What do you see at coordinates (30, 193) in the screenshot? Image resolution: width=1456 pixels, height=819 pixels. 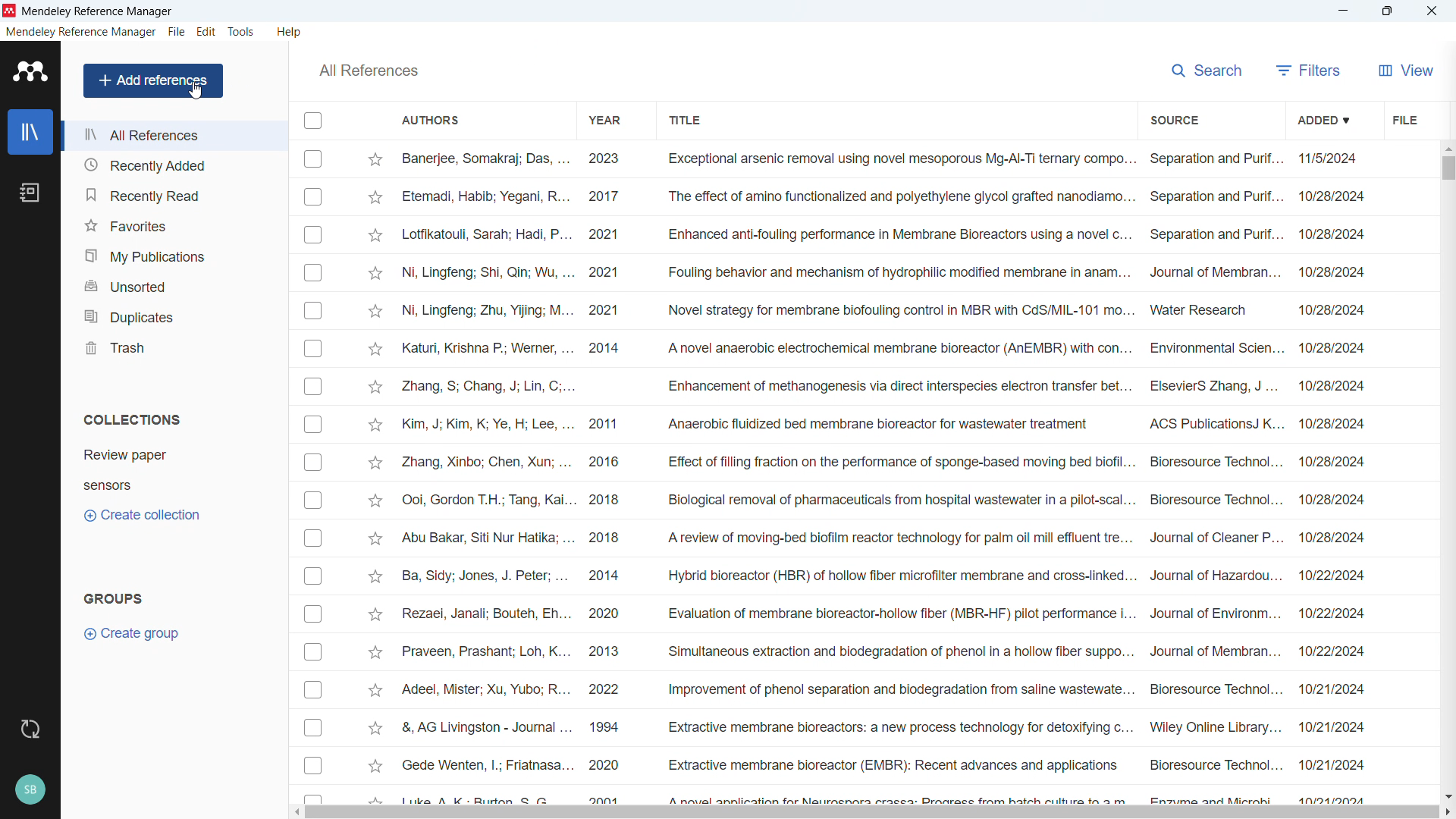 I see `Notebook ` at bounding box center [30, 193].